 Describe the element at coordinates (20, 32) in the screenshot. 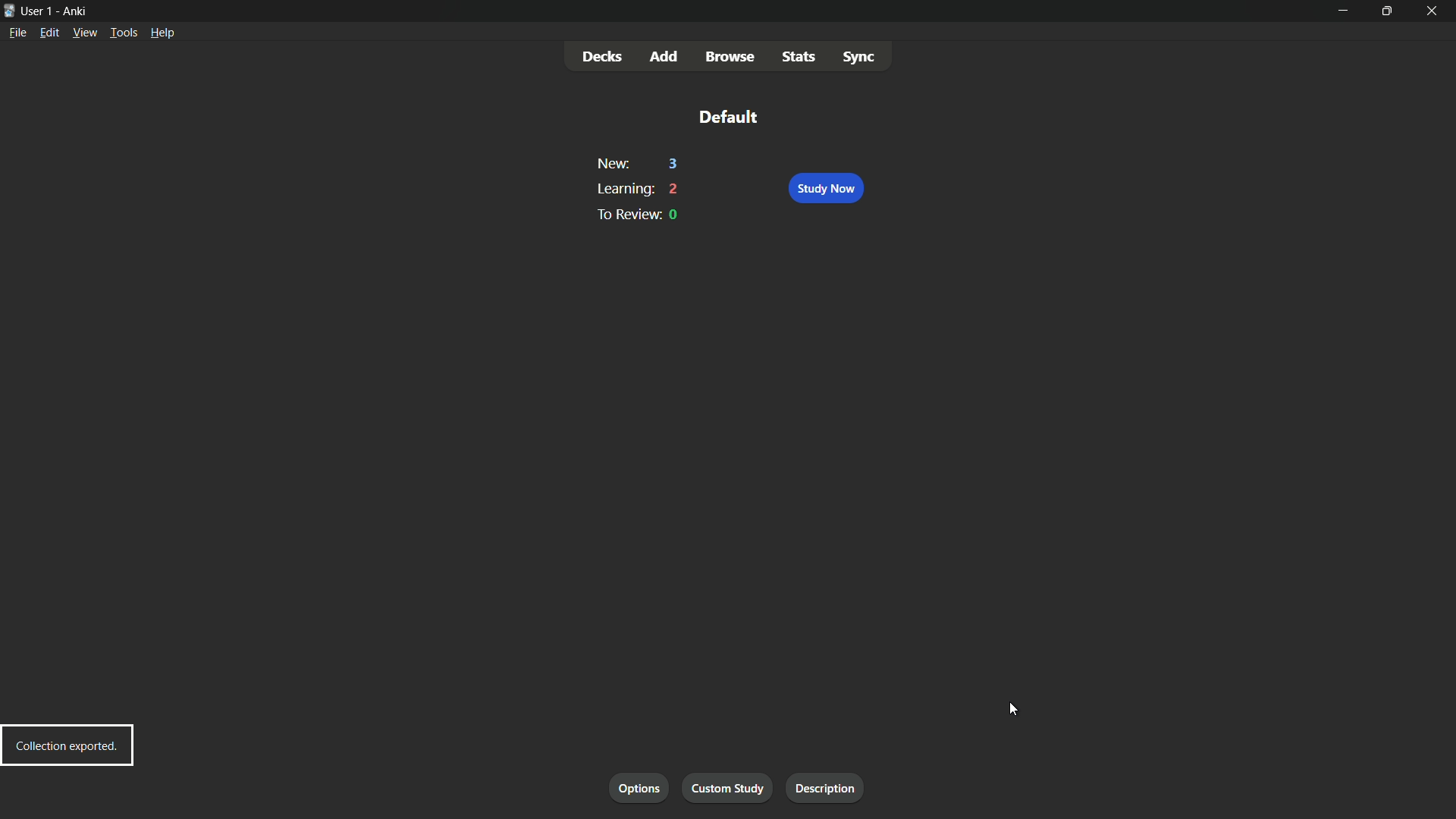

I see `file menu` at that location.